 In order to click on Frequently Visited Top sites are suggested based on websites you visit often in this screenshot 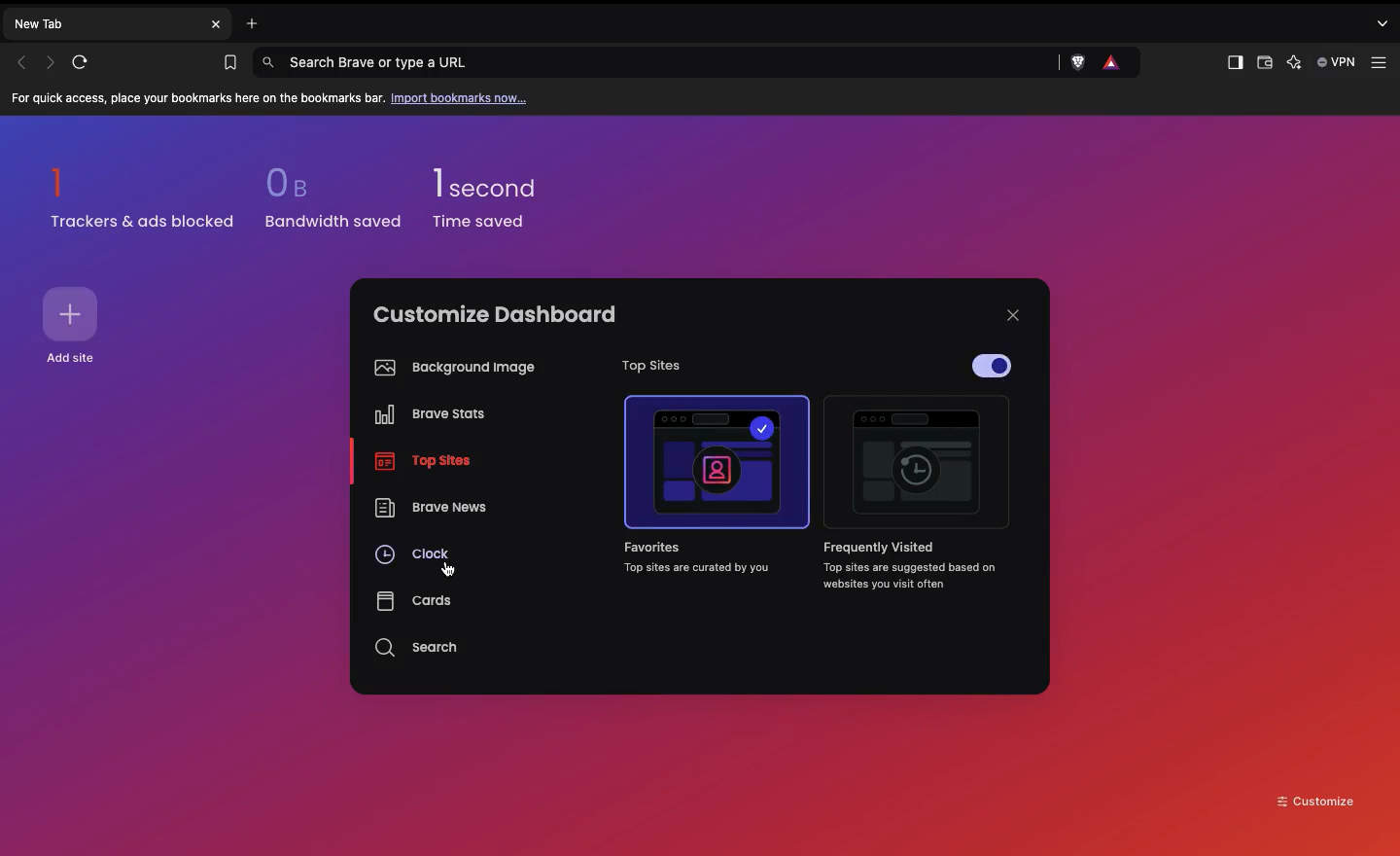, I will do `click(901, 566)`.